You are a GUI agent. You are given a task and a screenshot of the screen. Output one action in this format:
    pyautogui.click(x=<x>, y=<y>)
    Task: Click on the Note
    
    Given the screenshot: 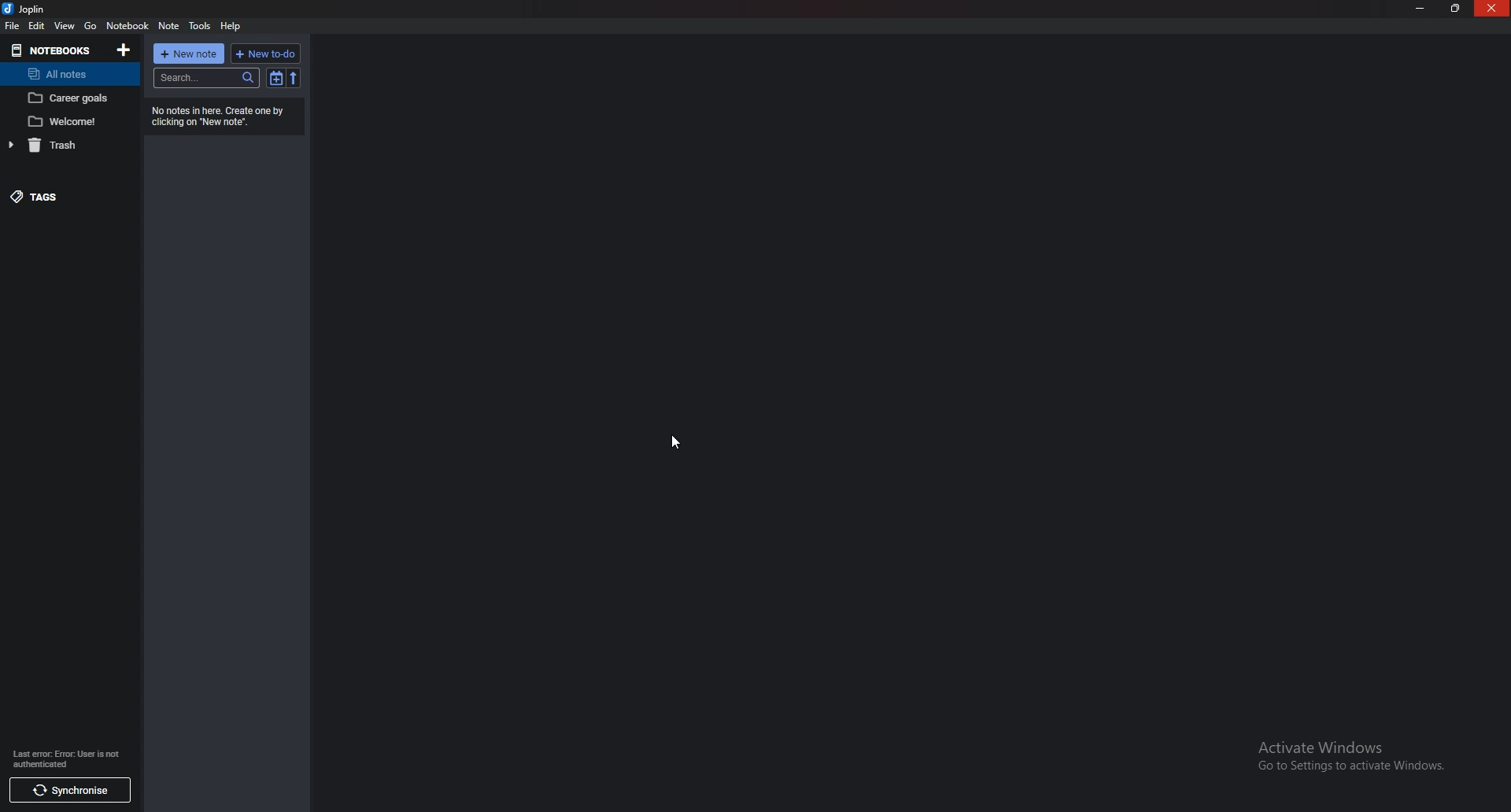 What is the action you would take?
    pyautogui.click(x=66, y=98)
    